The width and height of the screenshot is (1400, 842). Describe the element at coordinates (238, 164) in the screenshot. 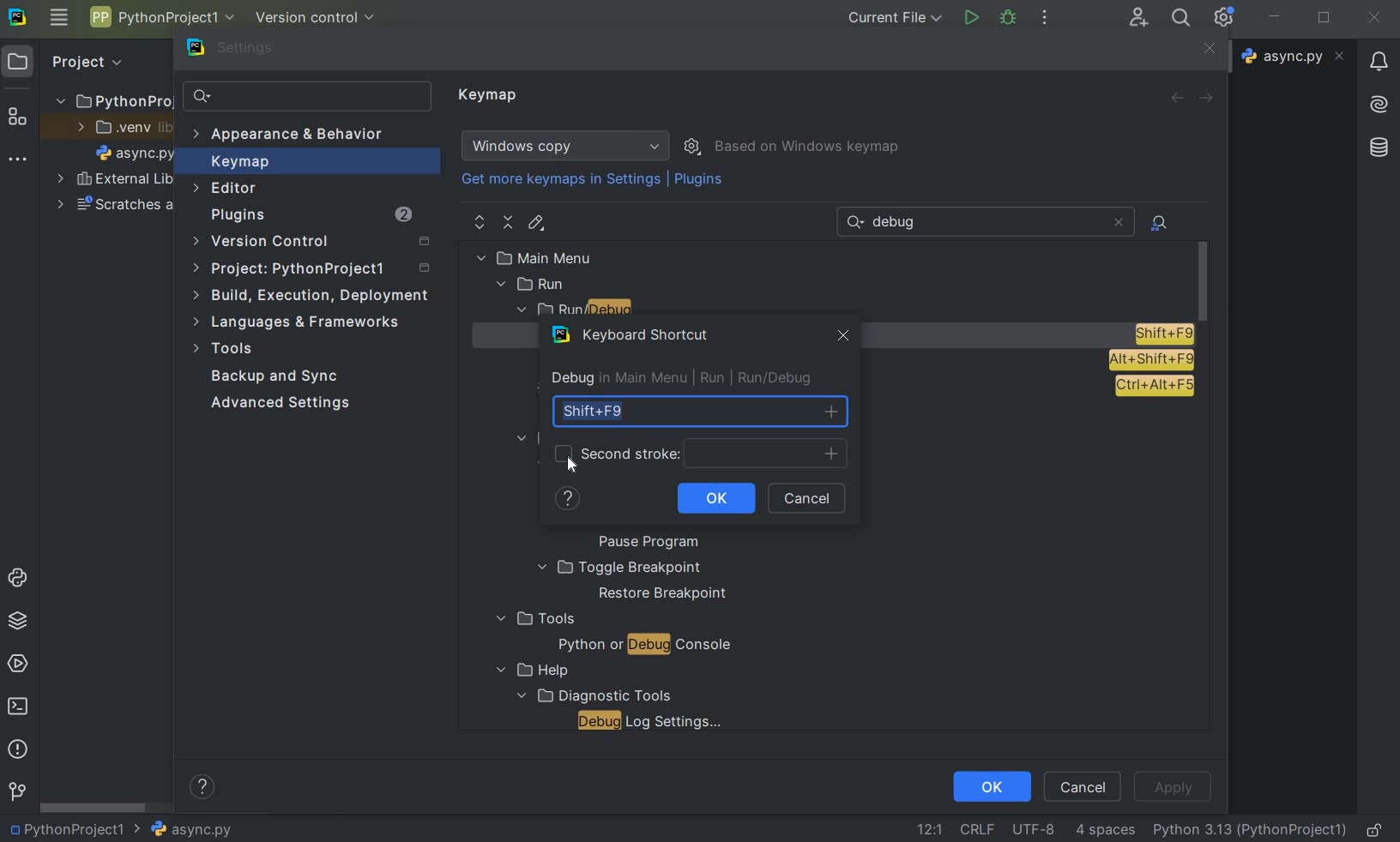

I see `keymap` at that location.